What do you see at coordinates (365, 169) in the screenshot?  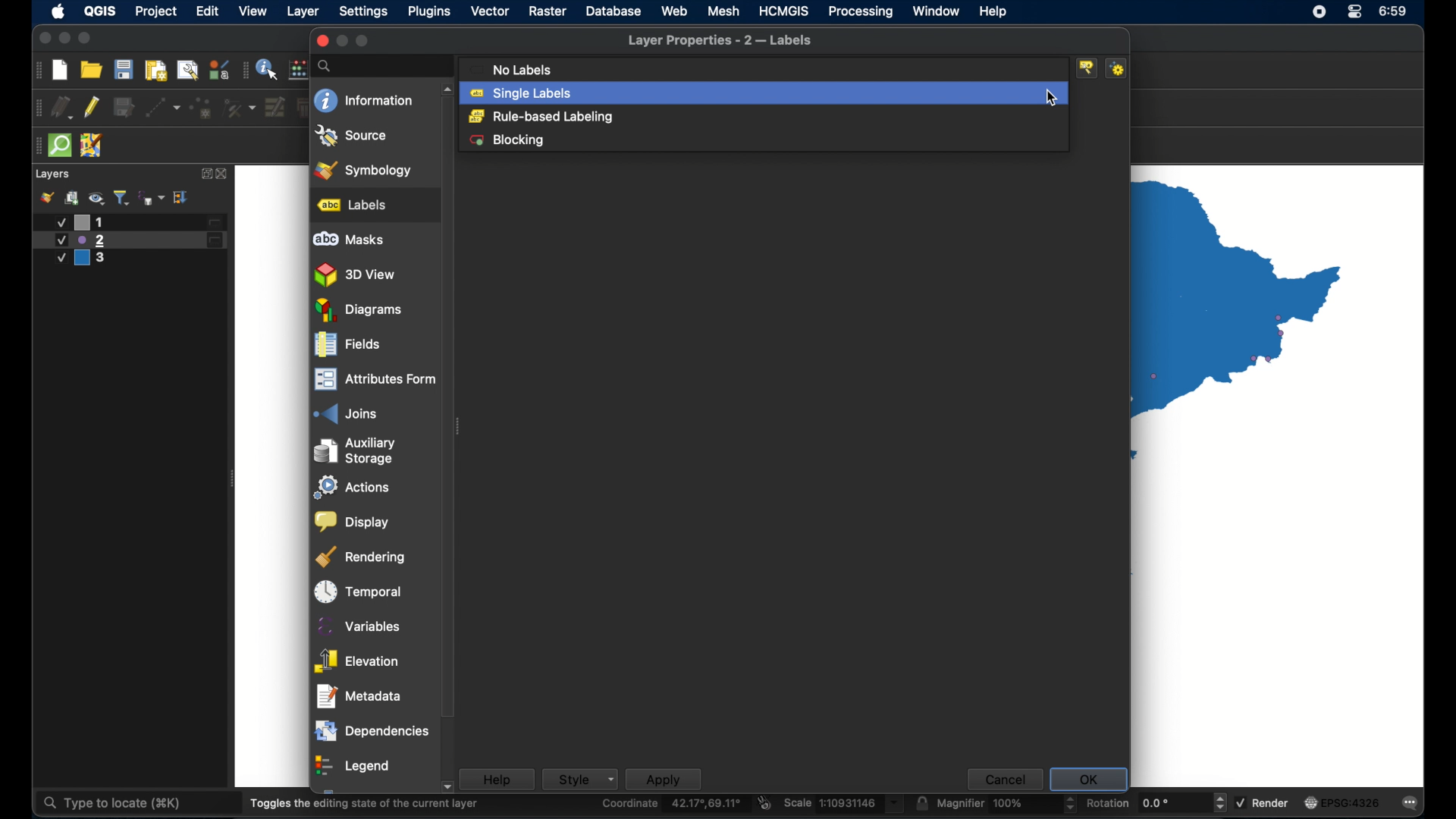 I see `symbology` at bounding box center [365, 169].